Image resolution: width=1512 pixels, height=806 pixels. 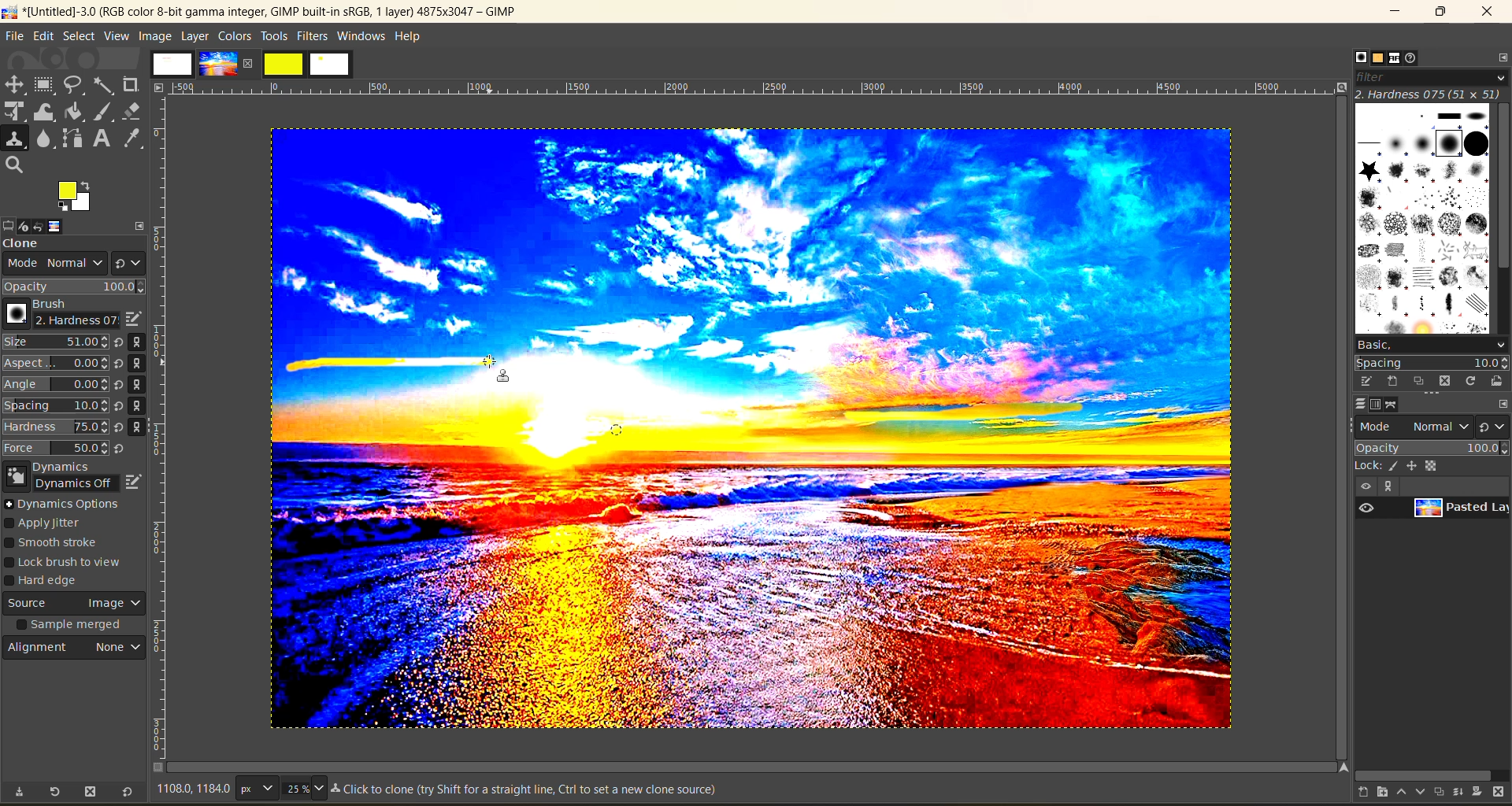 I want to click on tool options, so click(x=9, y=224).